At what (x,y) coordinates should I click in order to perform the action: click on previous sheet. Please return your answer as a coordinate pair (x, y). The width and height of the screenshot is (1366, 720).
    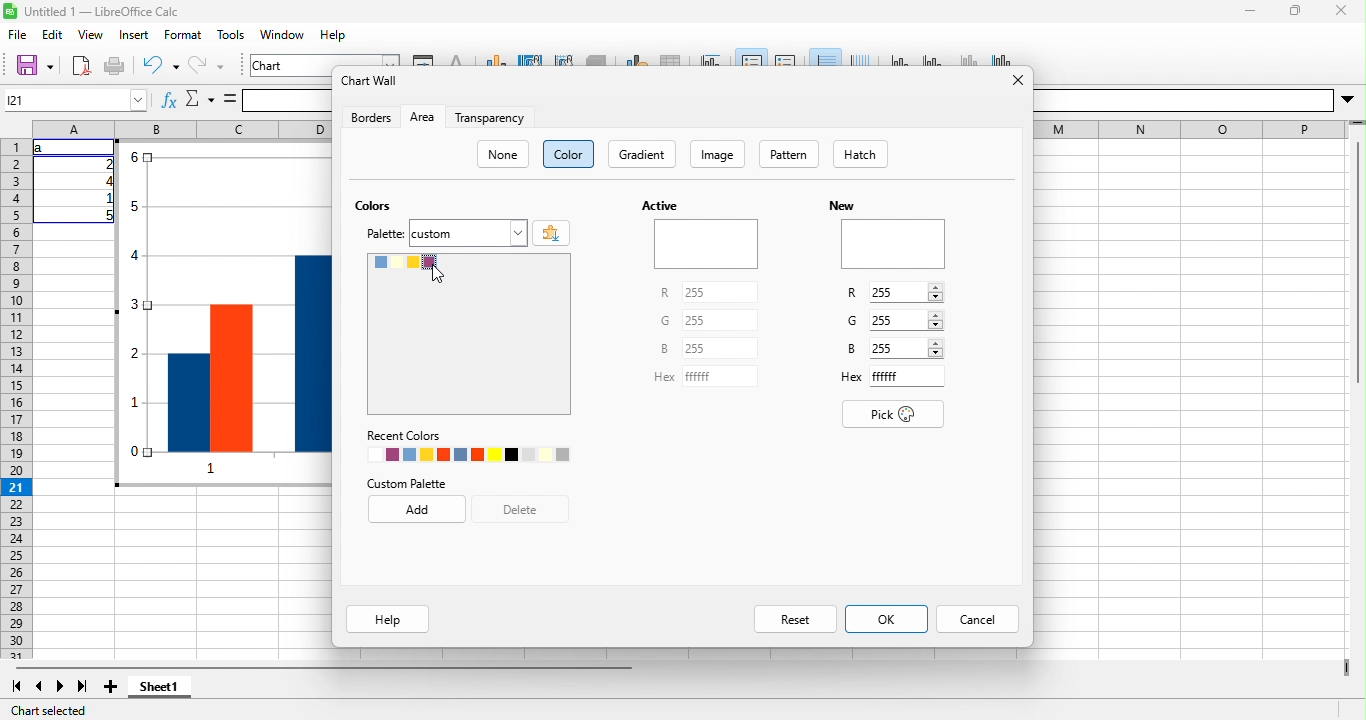
    Looking at the image, I should click on (38, 686).